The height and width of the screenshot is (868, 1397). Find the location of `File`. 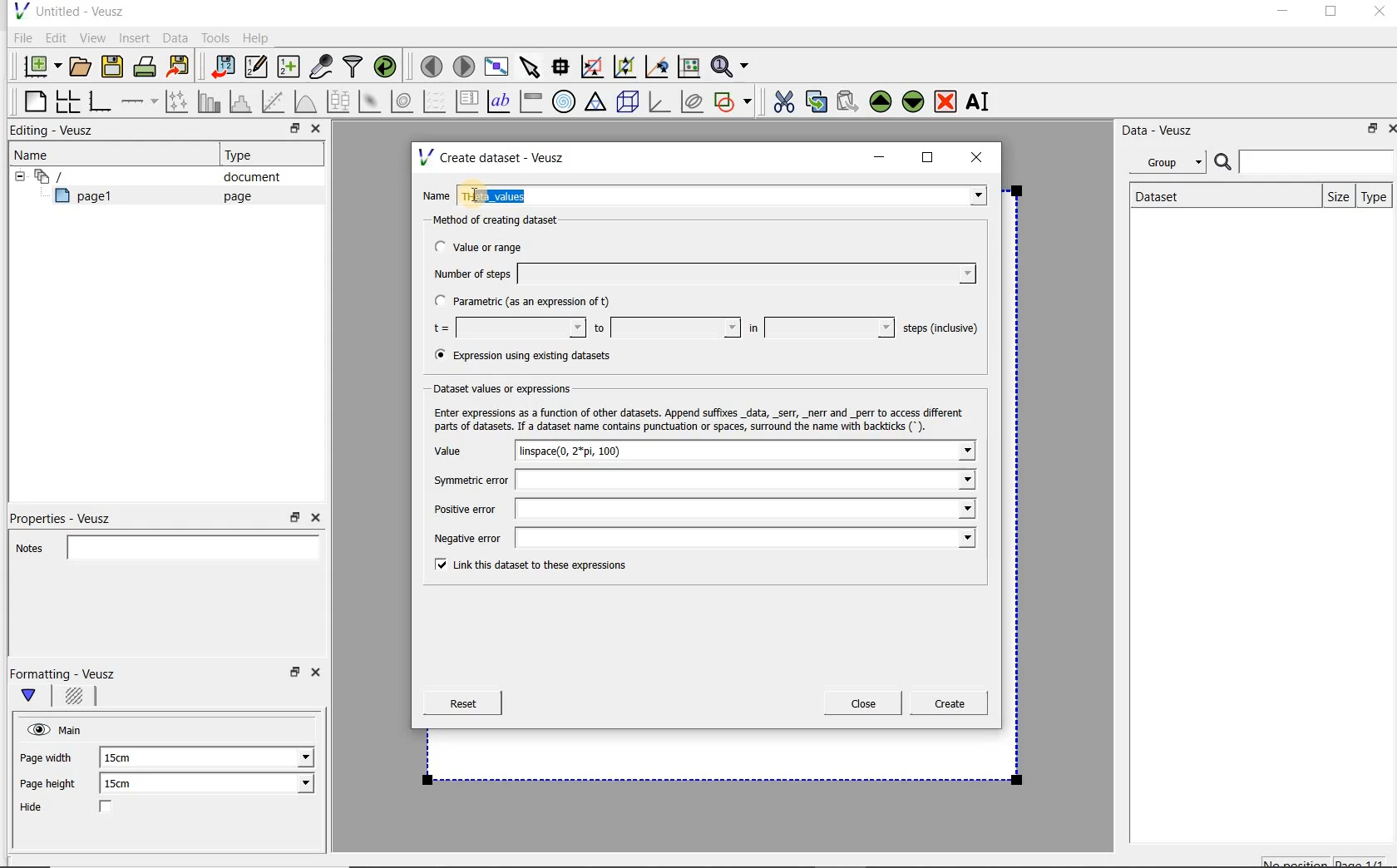

File is located at coordinates (20, 38).